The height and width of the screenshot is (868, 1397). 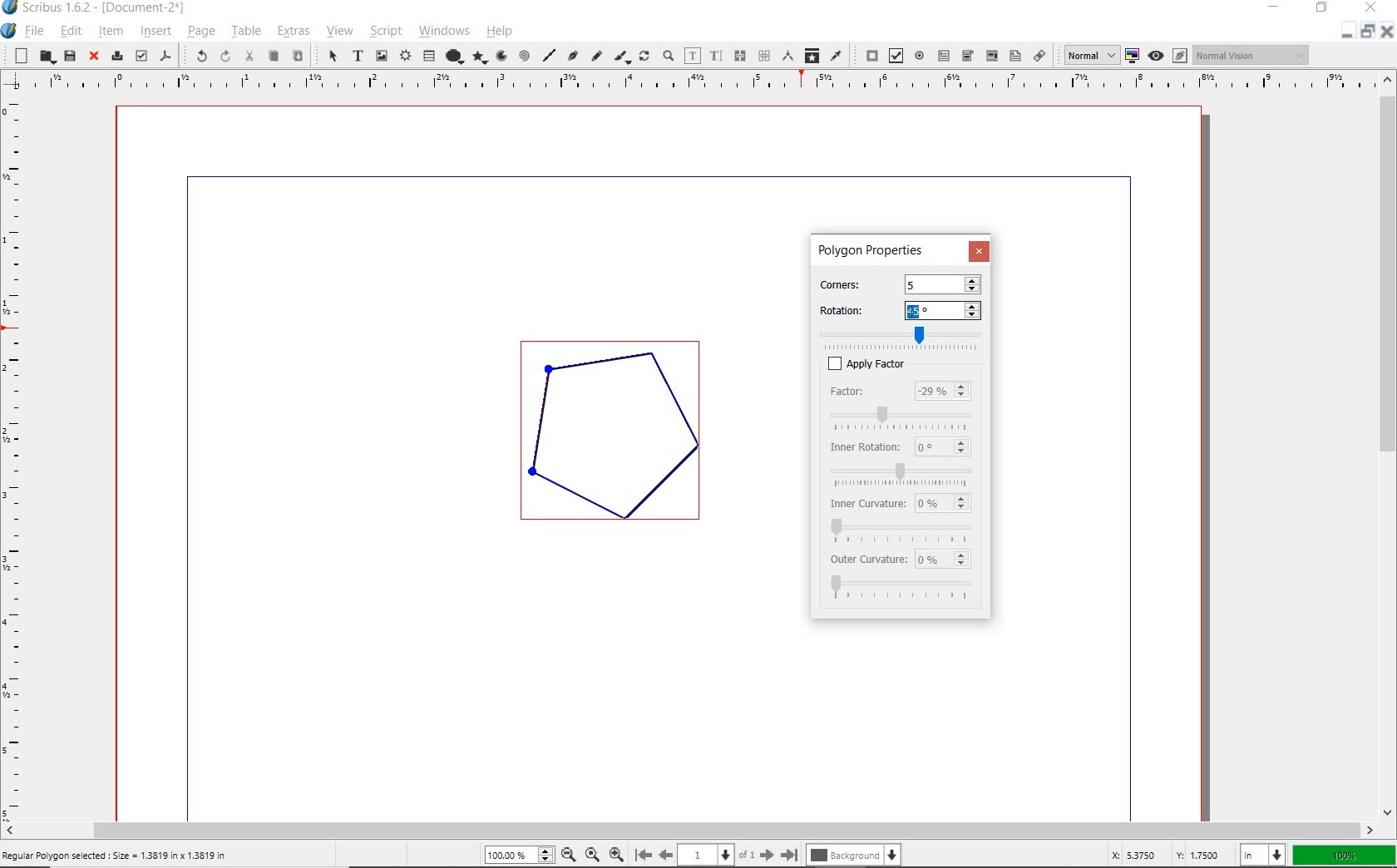 What do you see at coordinates (854, 310) in the screenshot?
I see `ROTATION` at bounding box center [854, 310].